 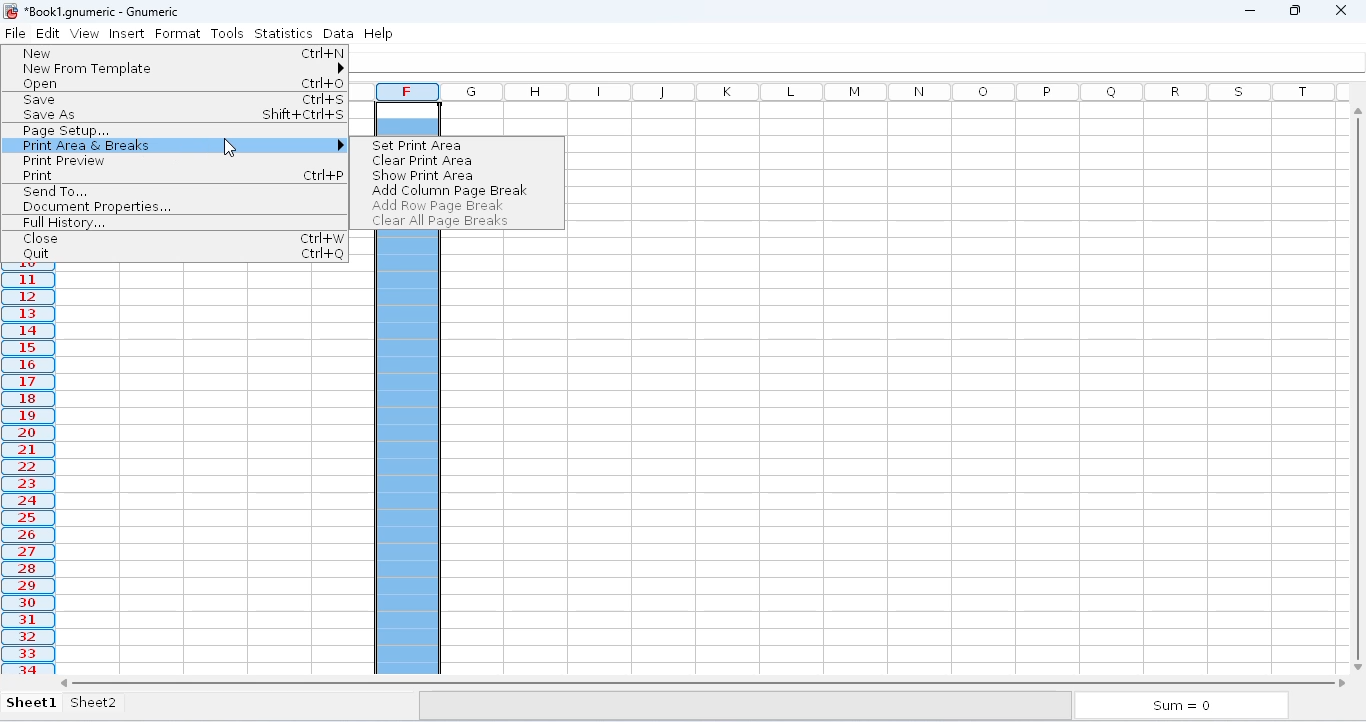 What do you see at coordinates (450, 191) in the screenshot?
I see `add column page break` at bounding box center [450, 191].